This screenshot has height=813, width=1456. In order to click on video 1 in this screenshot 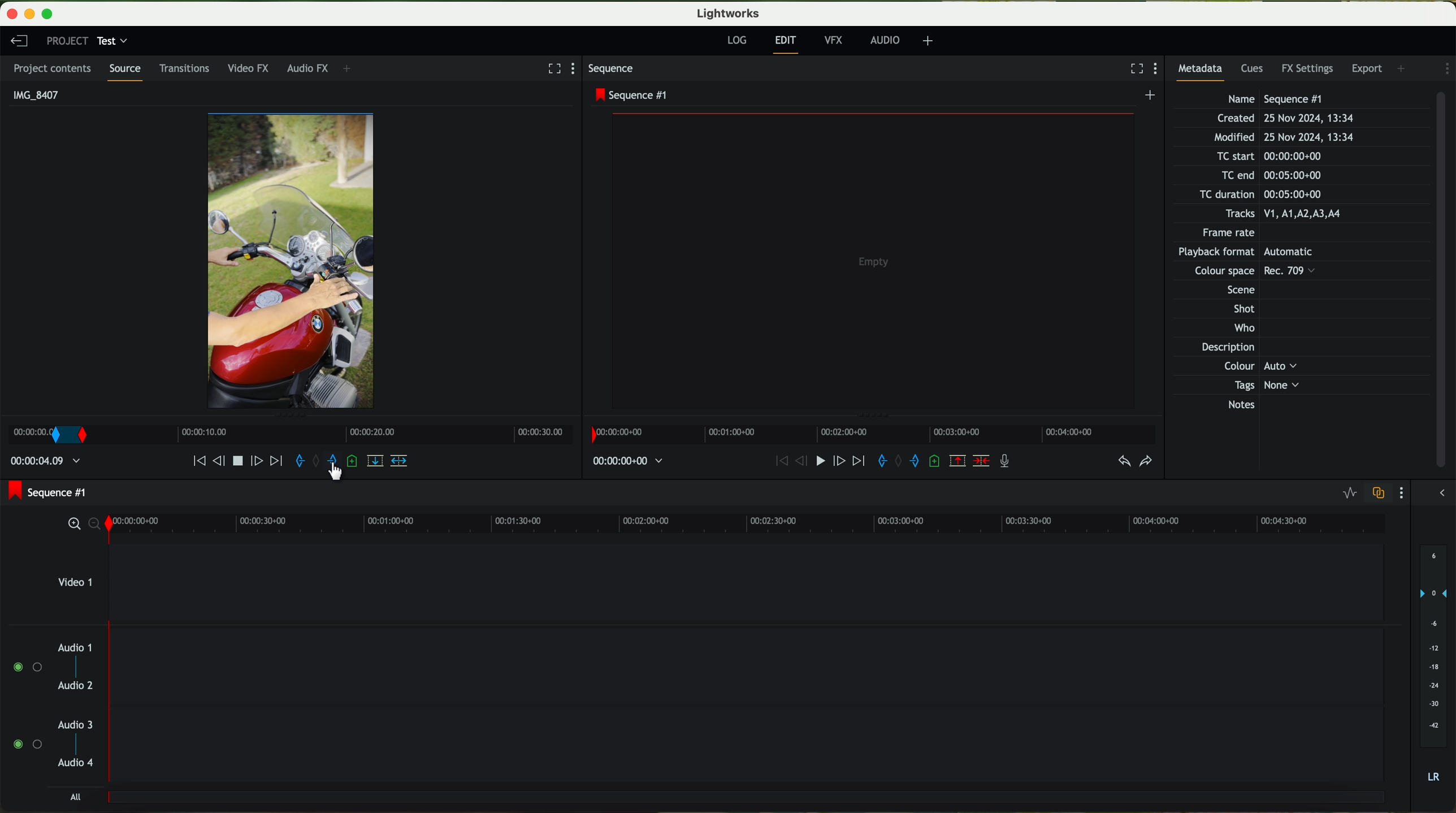, I will do `click(700, 581)`.